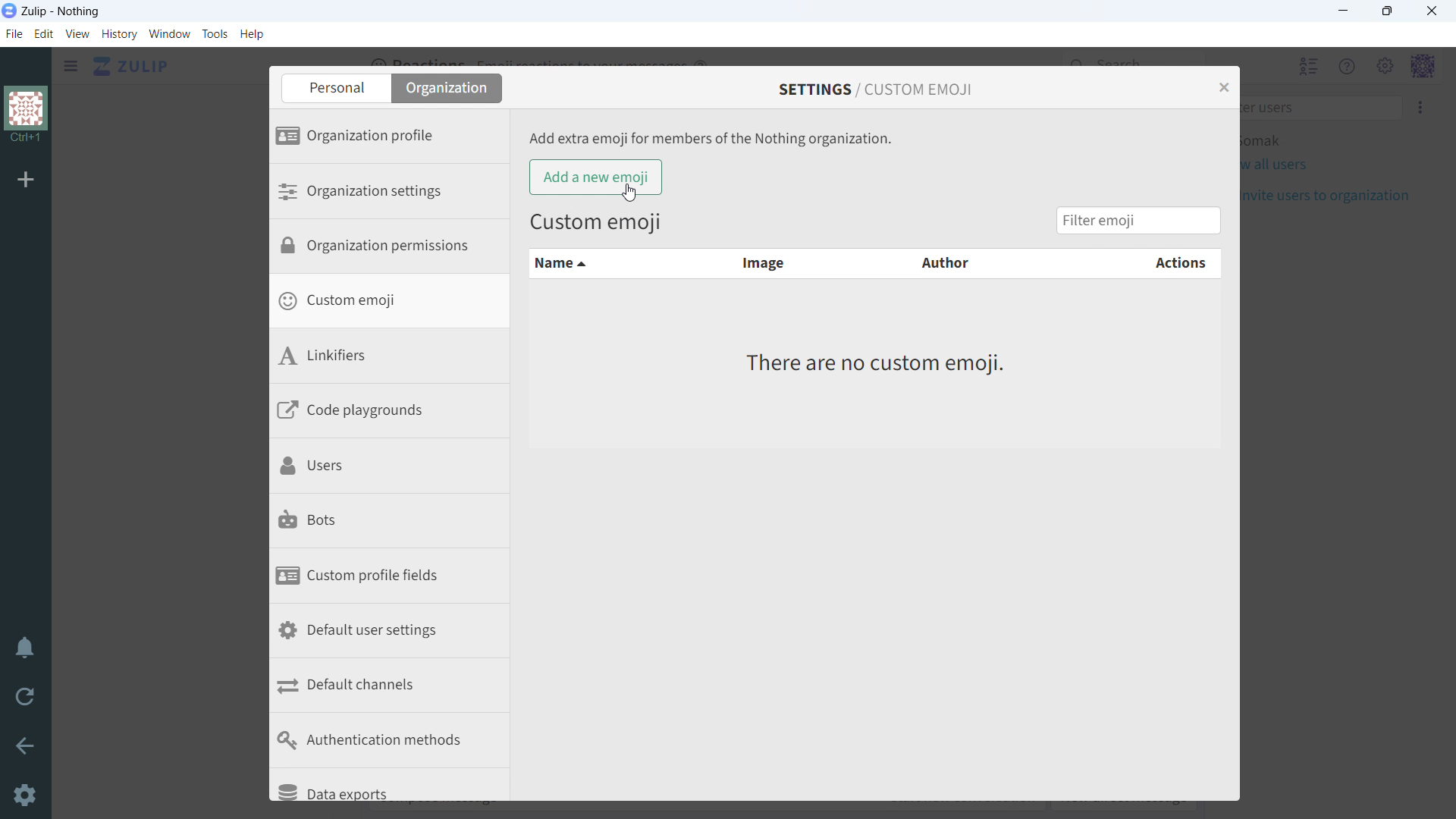  I want to click on reload, so click(25, 698).